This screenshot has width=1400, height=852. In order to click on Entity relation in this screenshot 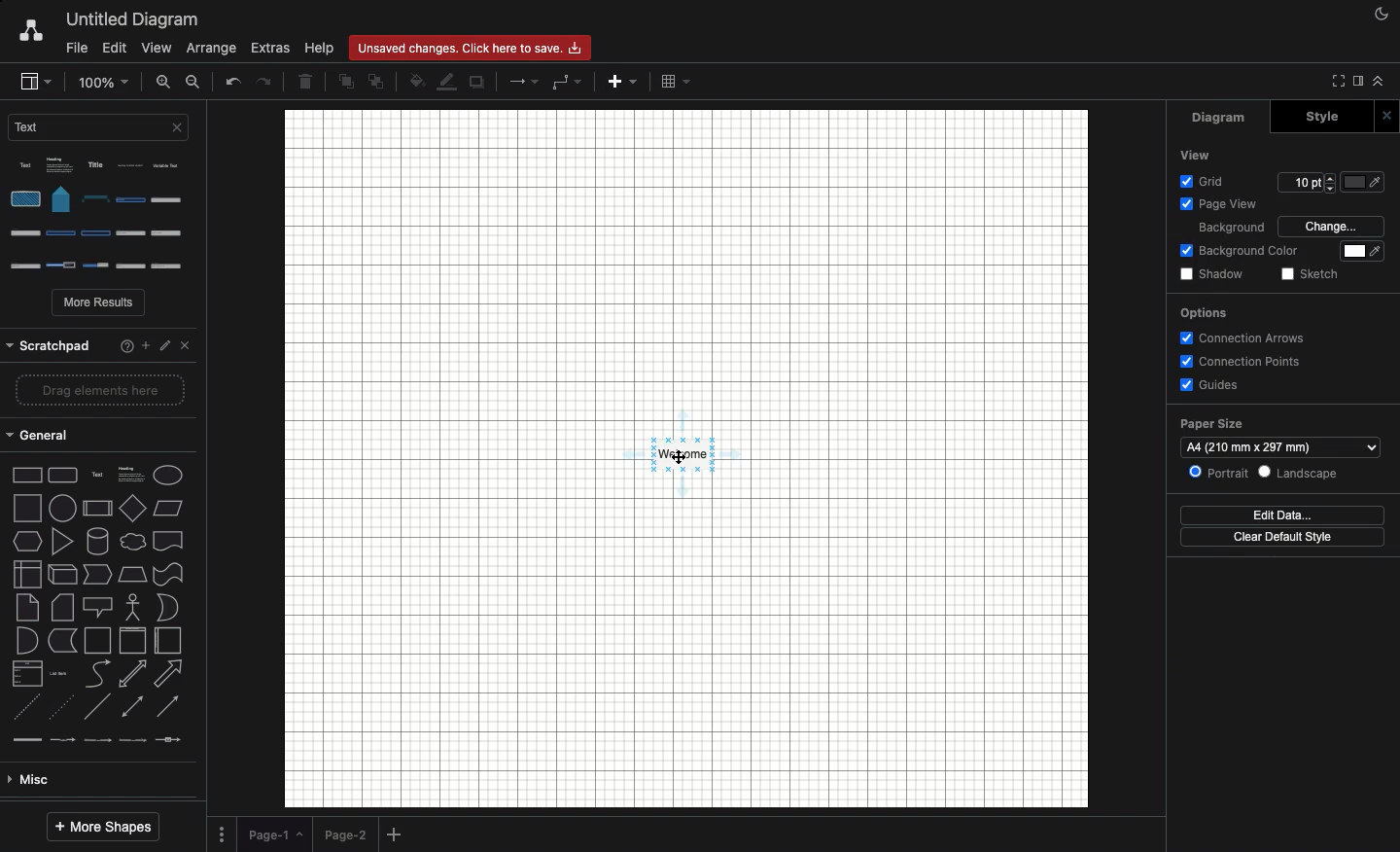, I will do `click(63, 780)`.